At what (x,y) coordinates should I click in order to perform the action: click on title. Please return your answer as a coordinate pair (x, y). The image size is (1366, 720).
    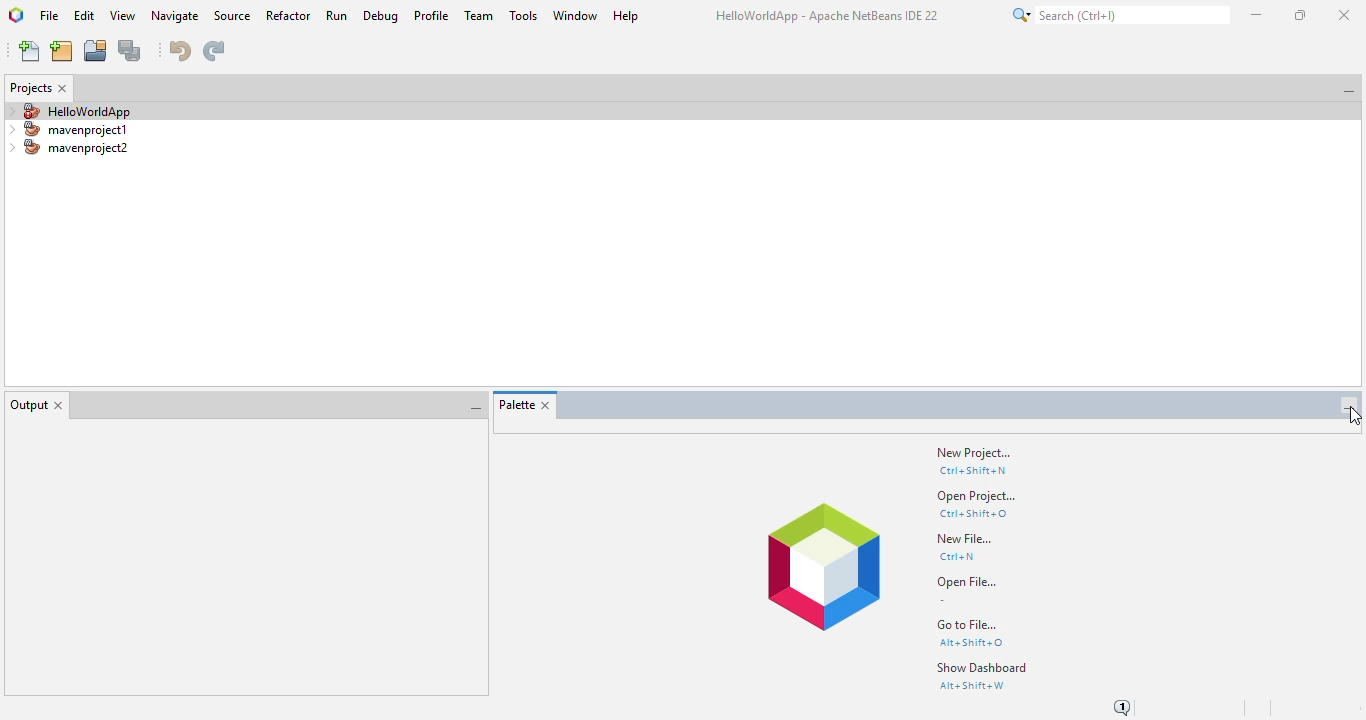
    Looking at the image, I should click on (831, 15).